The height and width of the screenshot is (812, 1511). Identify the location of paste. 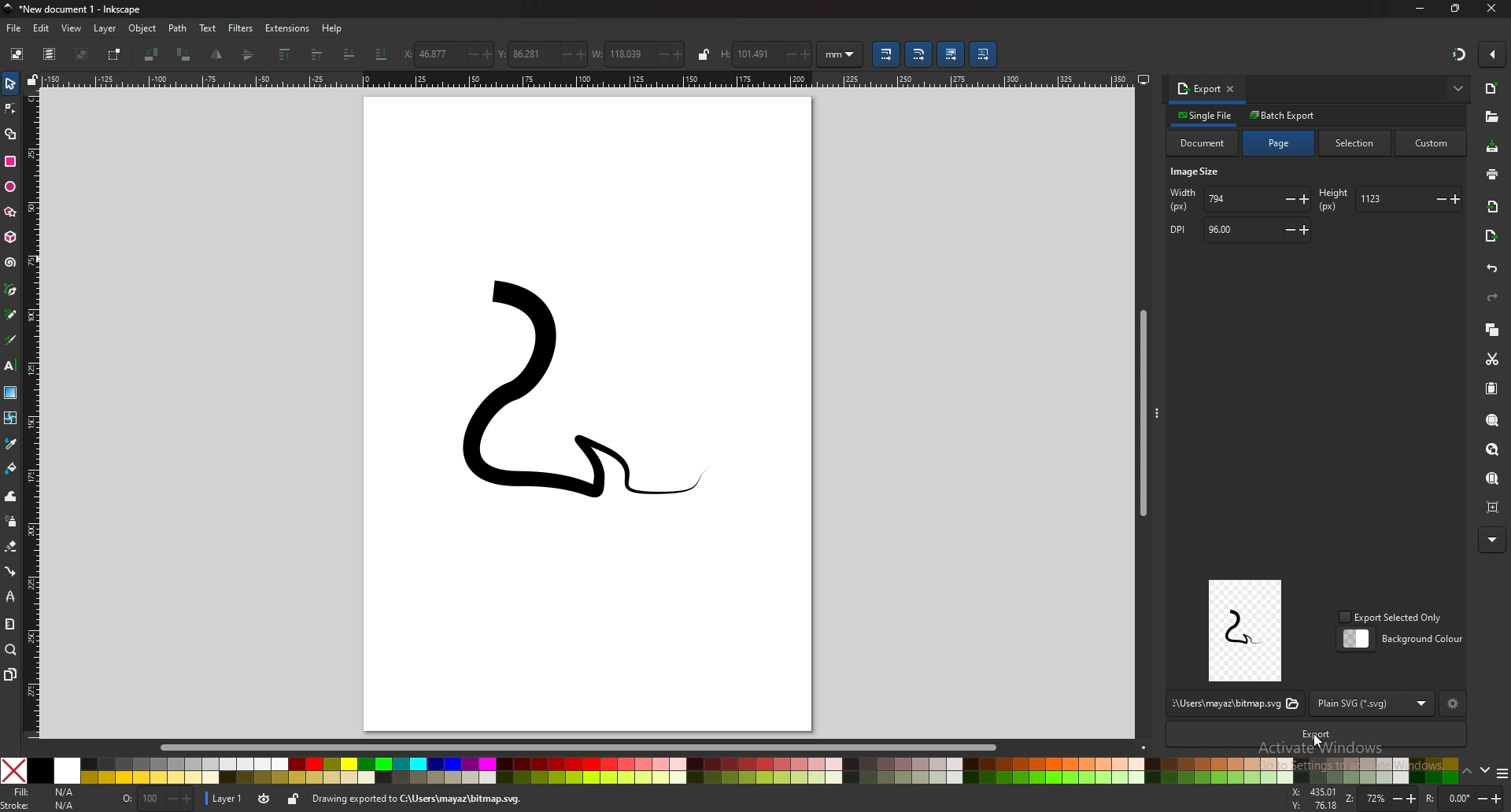
(1493, 389).